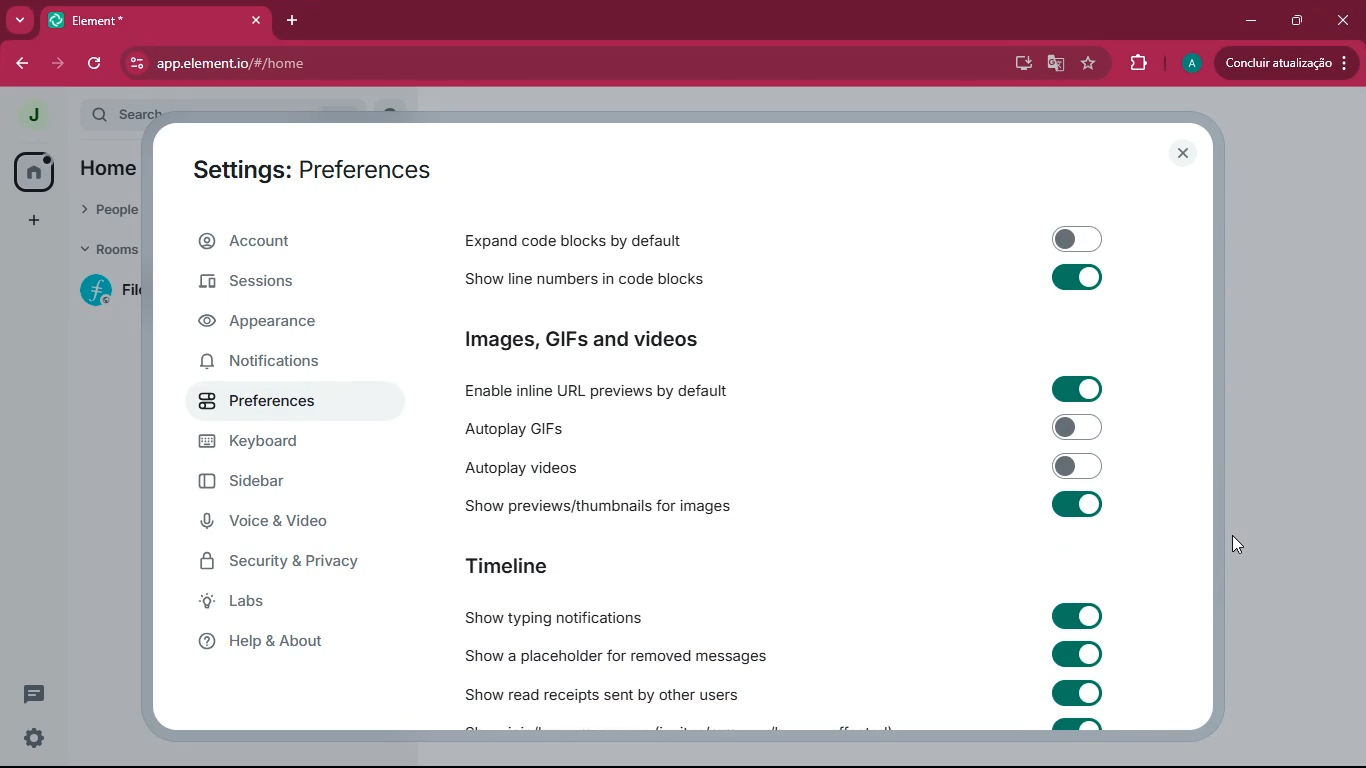 Image resolution: width=1366 pixels, height=768 pixels. Describe the element at coordinates (272, 283) in the screenshot. I see `sessions` at that location.